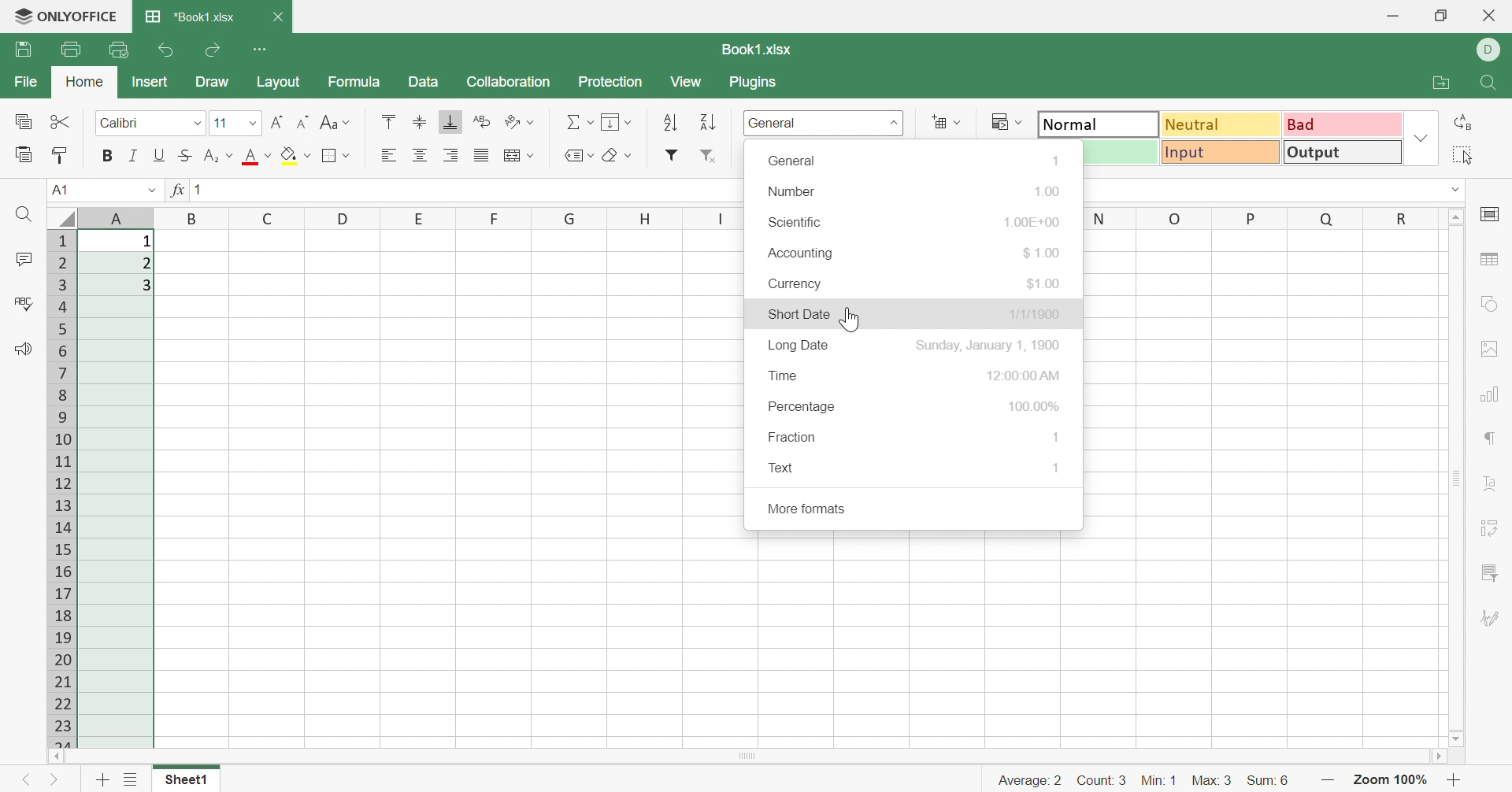 This screenshot has height=792, width=1512. What do you see at coordinates (508, 83) in the screenshot?
I see `Collaboration` at bounding box center [508, 83].